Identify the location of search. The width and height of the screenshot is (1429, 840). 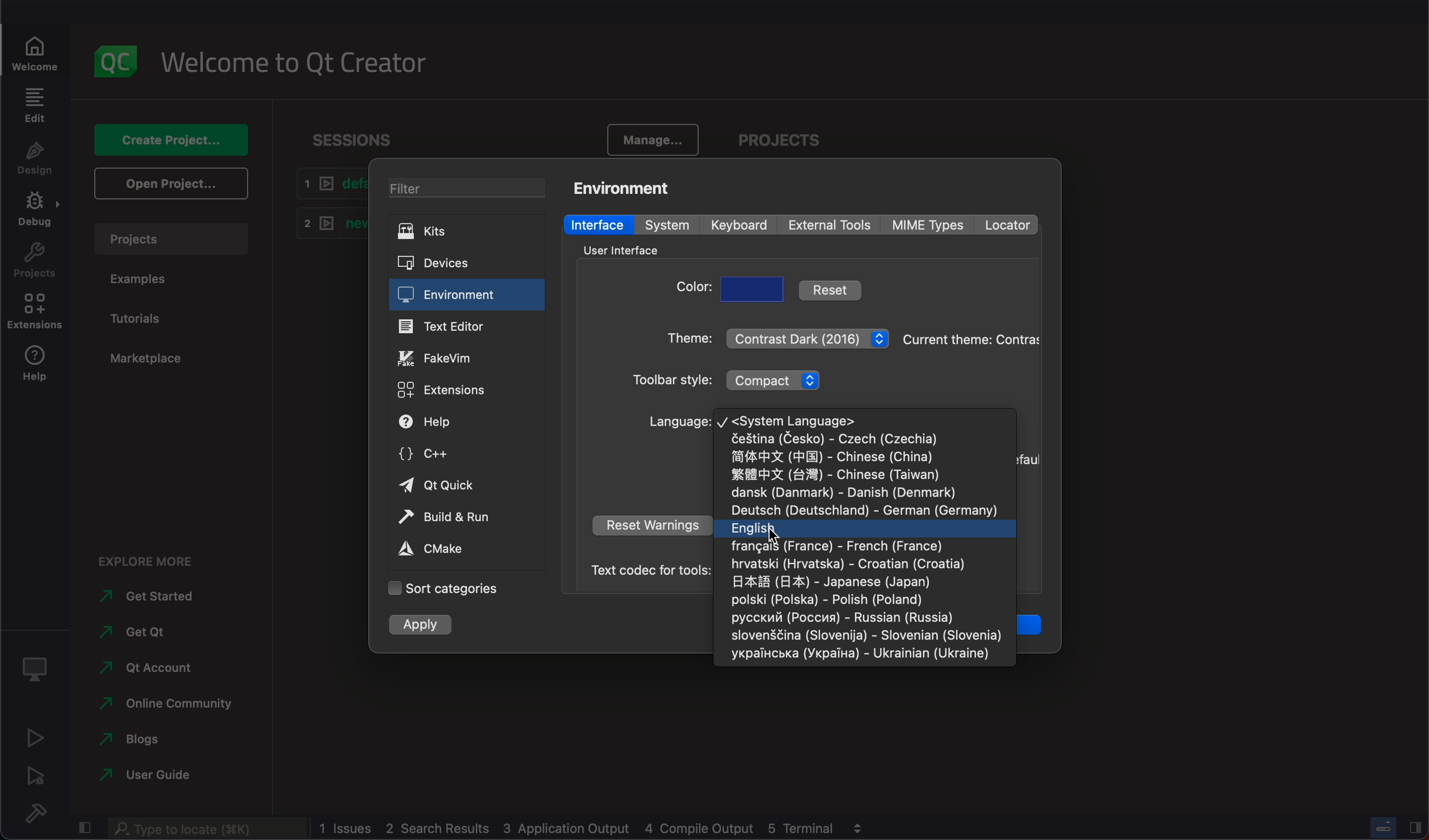
(210, 829).